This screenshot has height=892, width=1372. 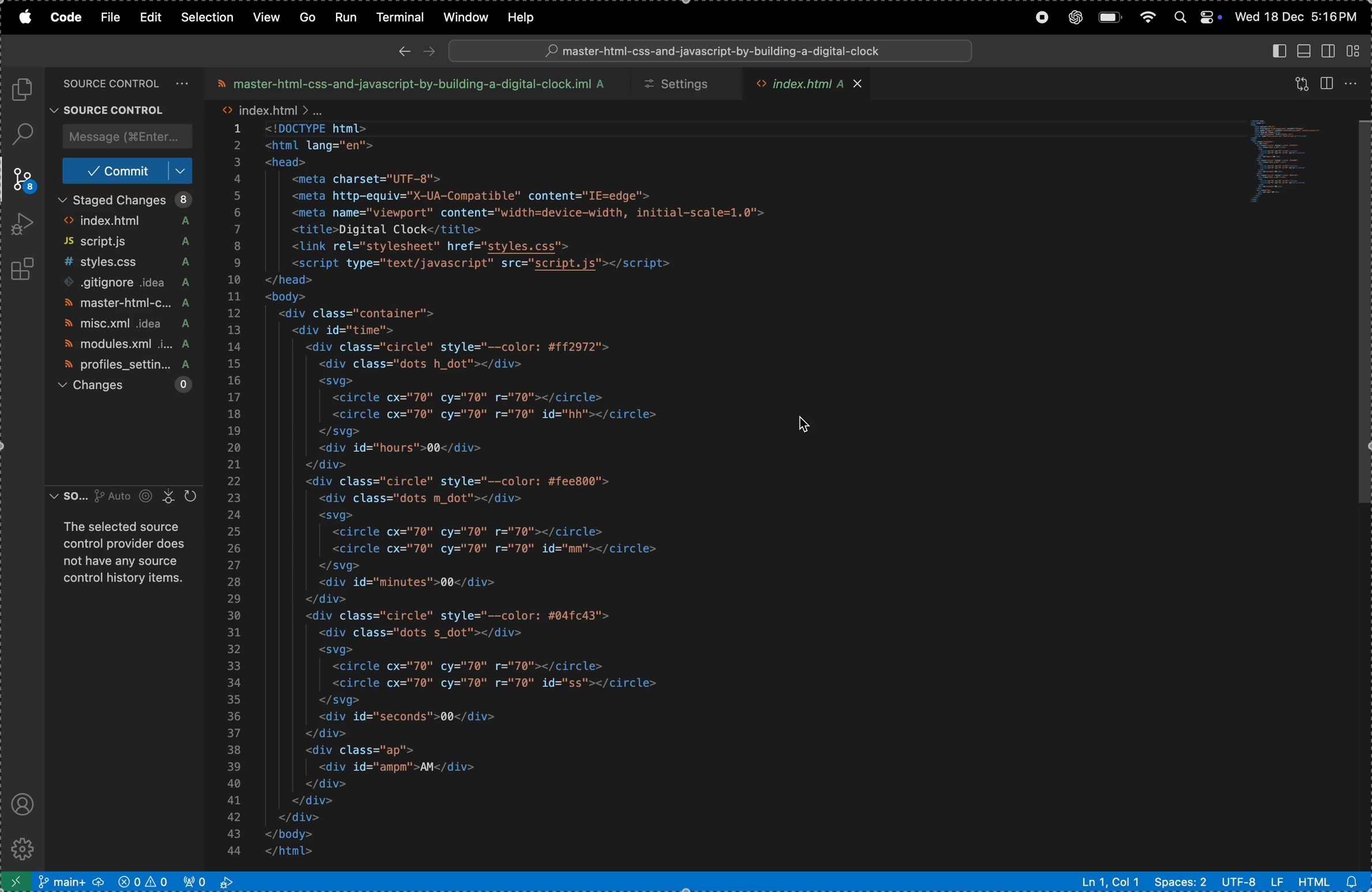 I want to click on <div class="circle" style="--color: #fee800">, so click(x=458, y=482).